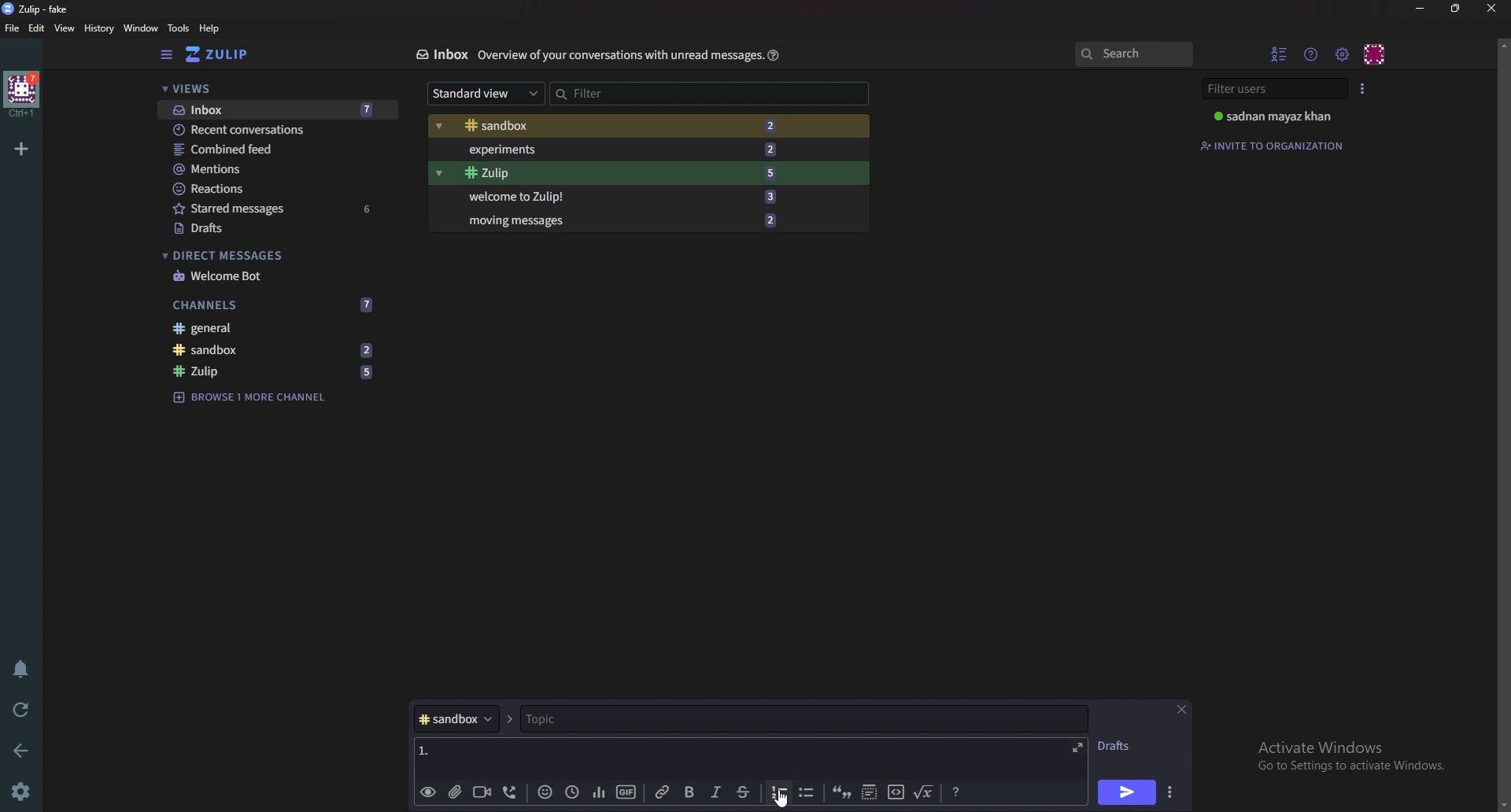  Describe the element at coordinates (1276, 116) in the screenshot. I see `User` at that location.